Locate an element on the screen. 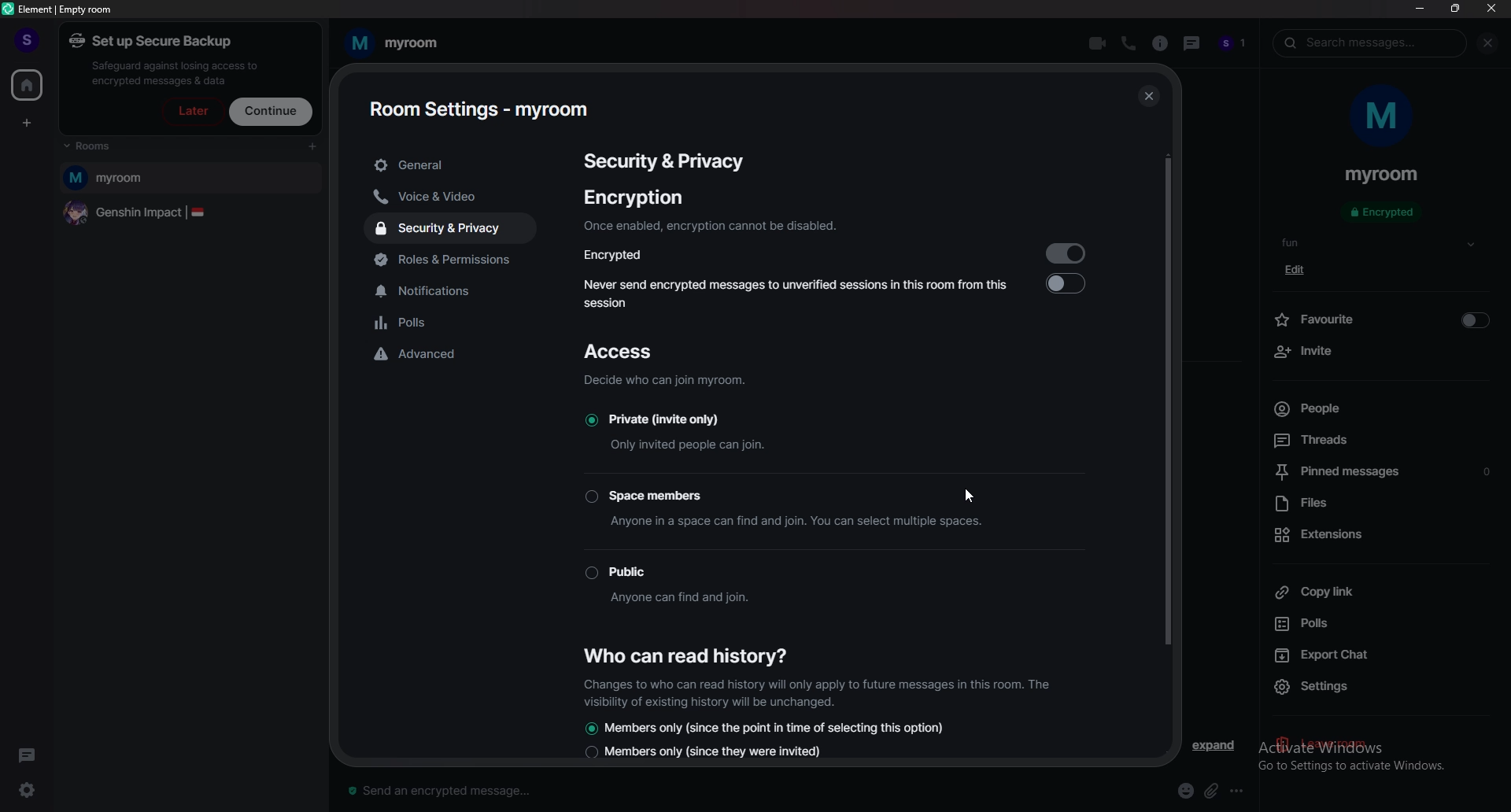 The image size is (1511, 812). Decide who can join myroom is located at coordinates (664, 380).